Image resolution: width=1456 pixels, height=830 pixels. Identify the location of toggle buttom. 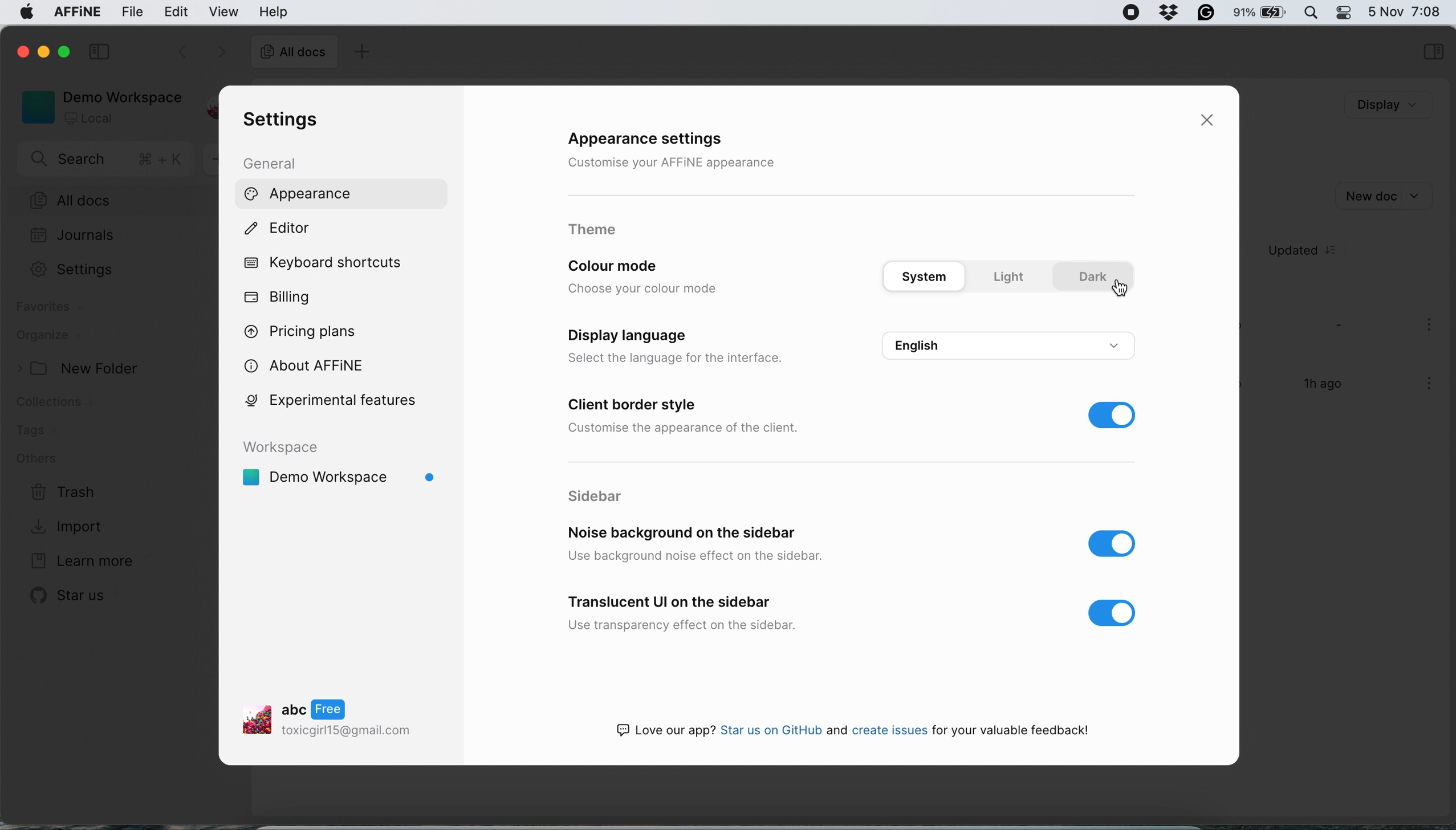
(1117, 418).